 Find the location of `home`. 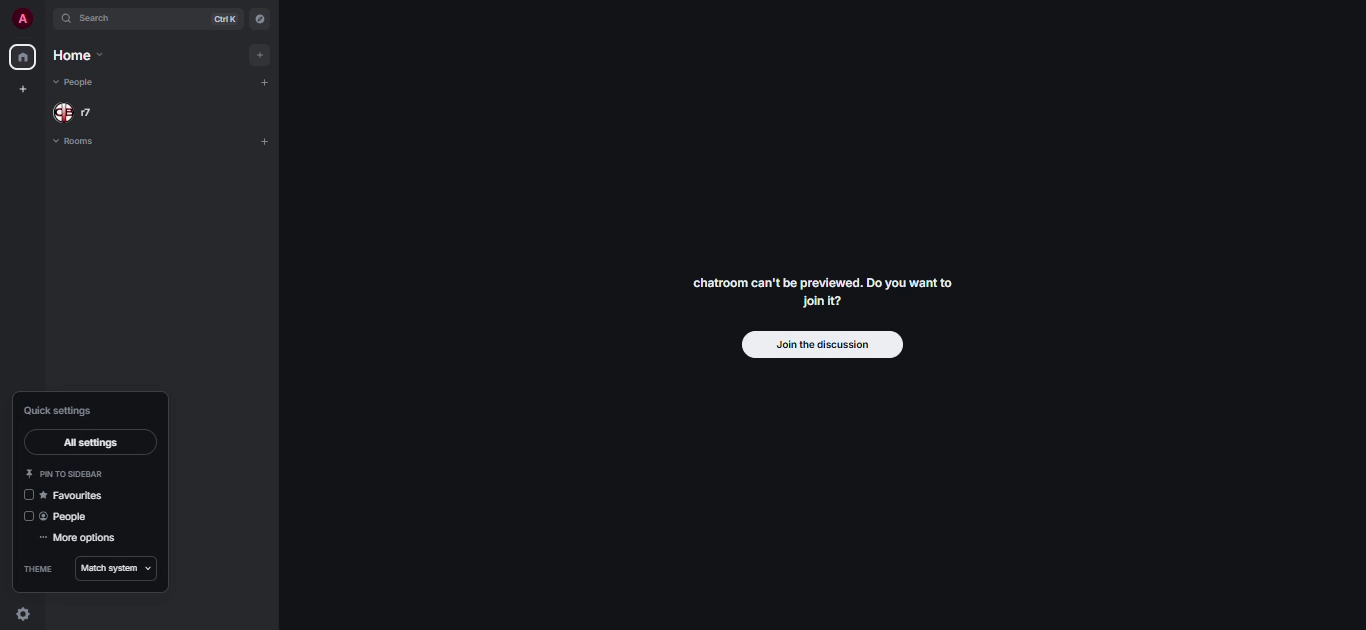

home is located at coordinates (21, 57).